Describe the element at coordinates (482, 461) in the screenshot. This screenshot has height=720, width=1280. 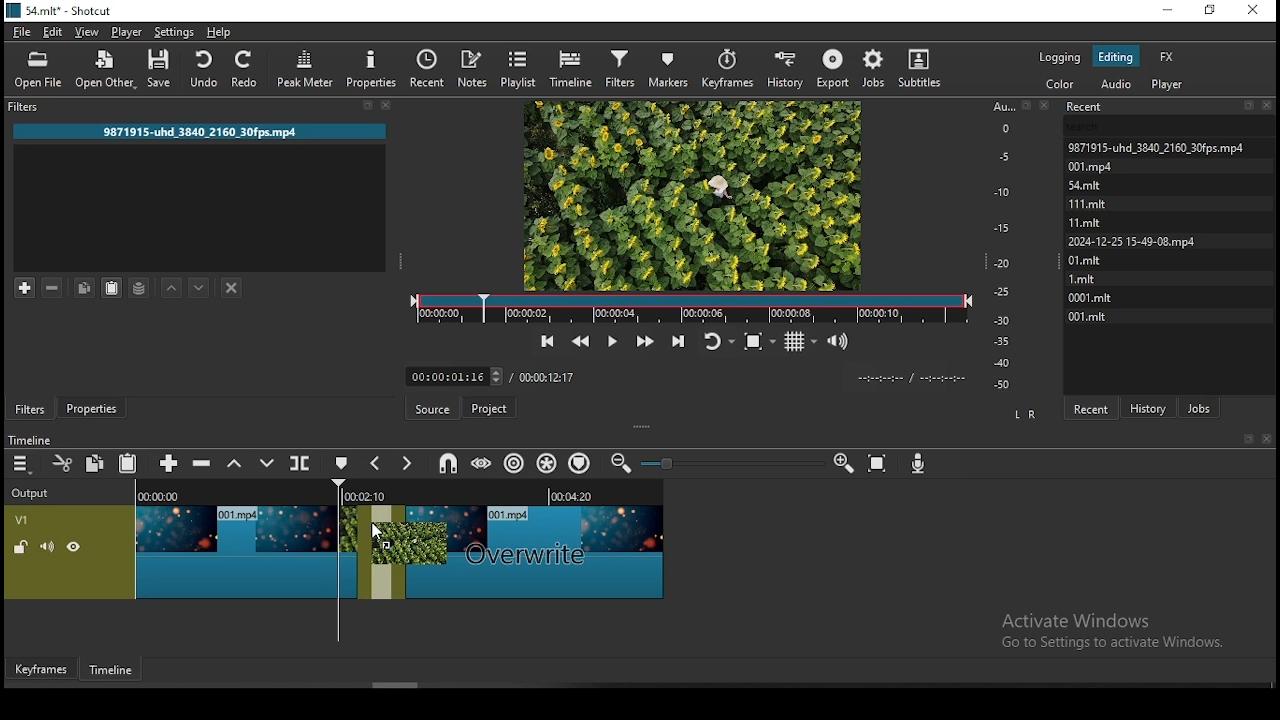
I see `scrub while dragging` at that location.